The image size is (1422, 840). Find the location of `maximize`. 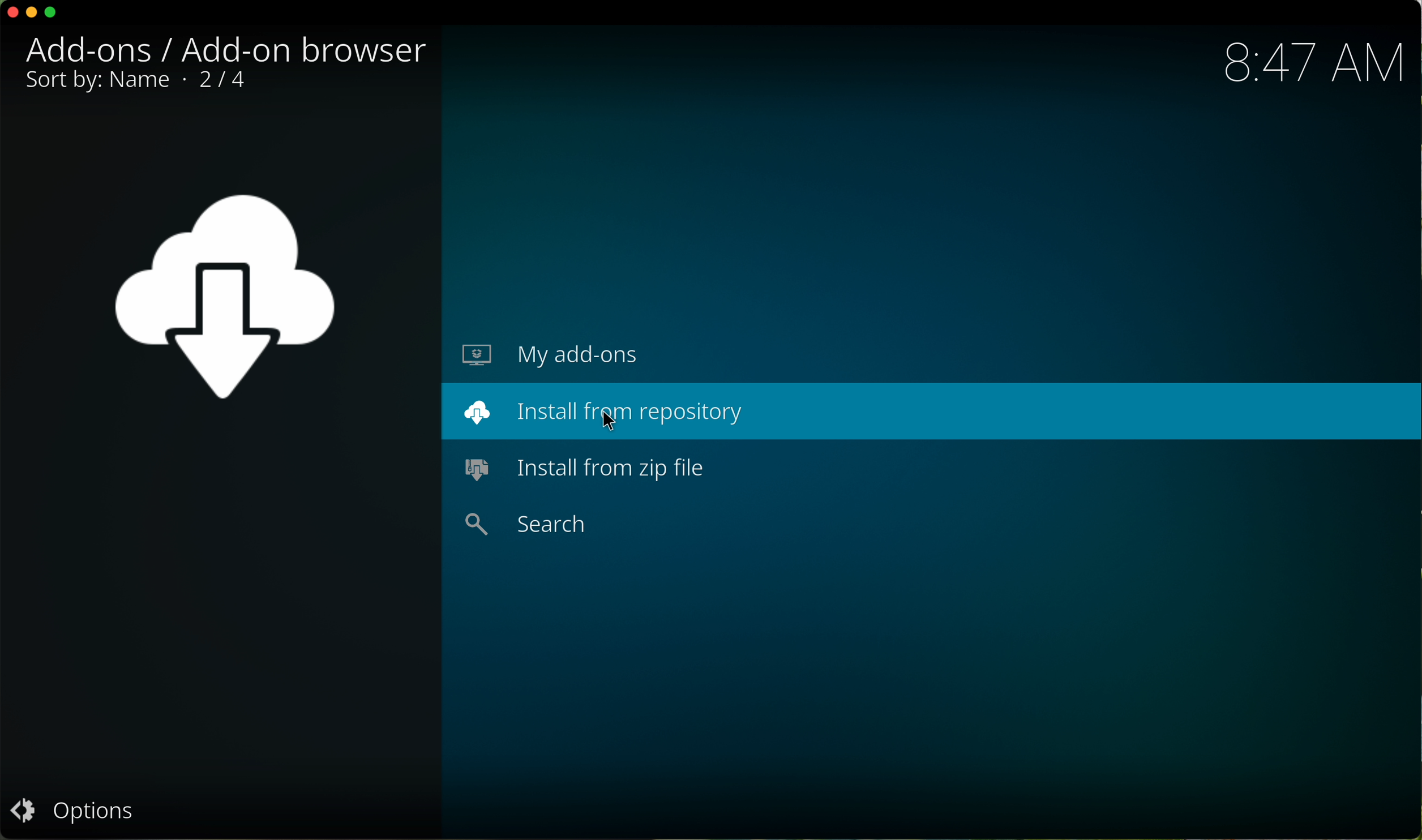

maximize is located at coordinates (55, 15).